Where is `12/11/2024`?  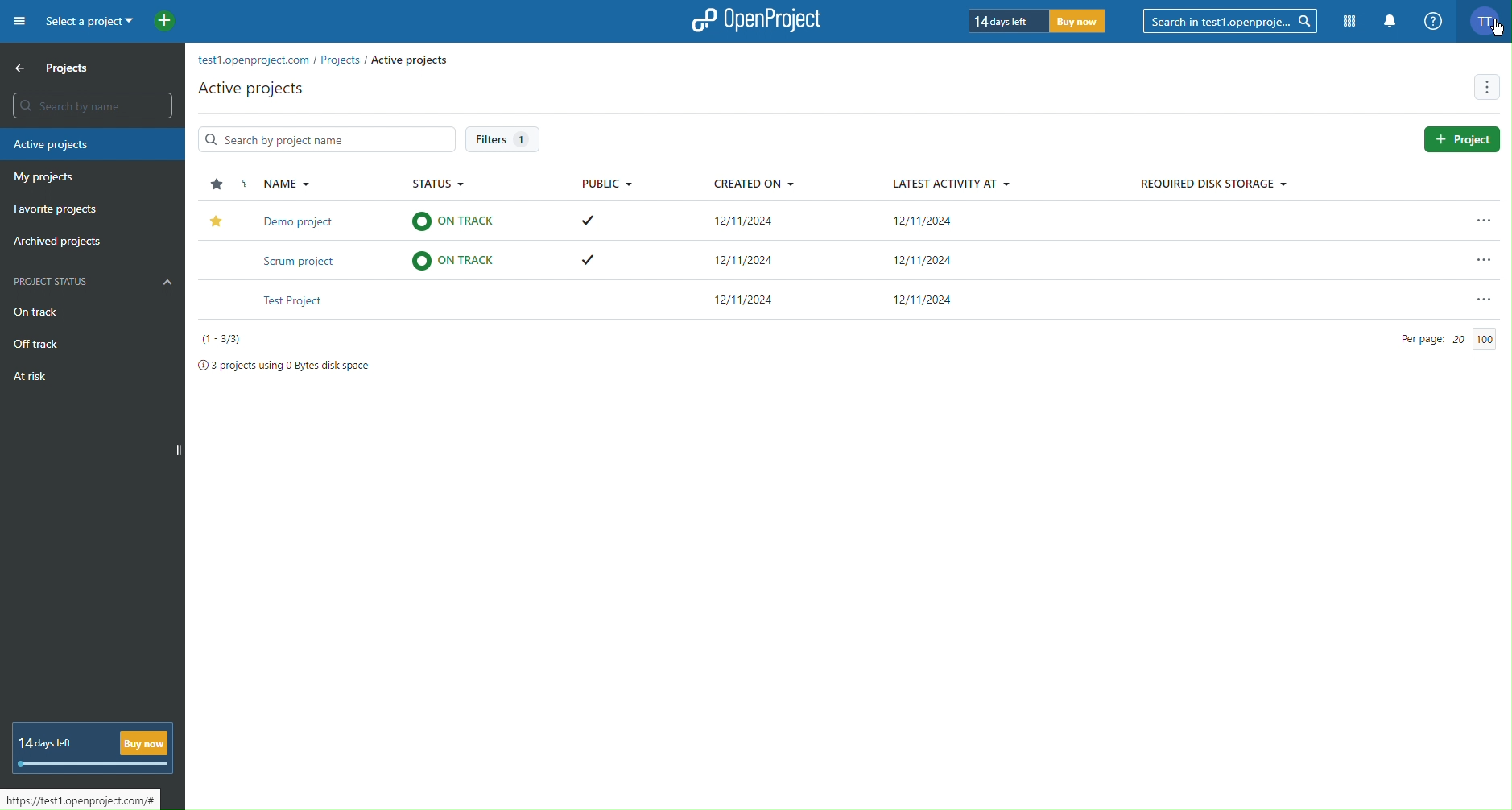 12/11/2024 is located at coordinates (927, 221).